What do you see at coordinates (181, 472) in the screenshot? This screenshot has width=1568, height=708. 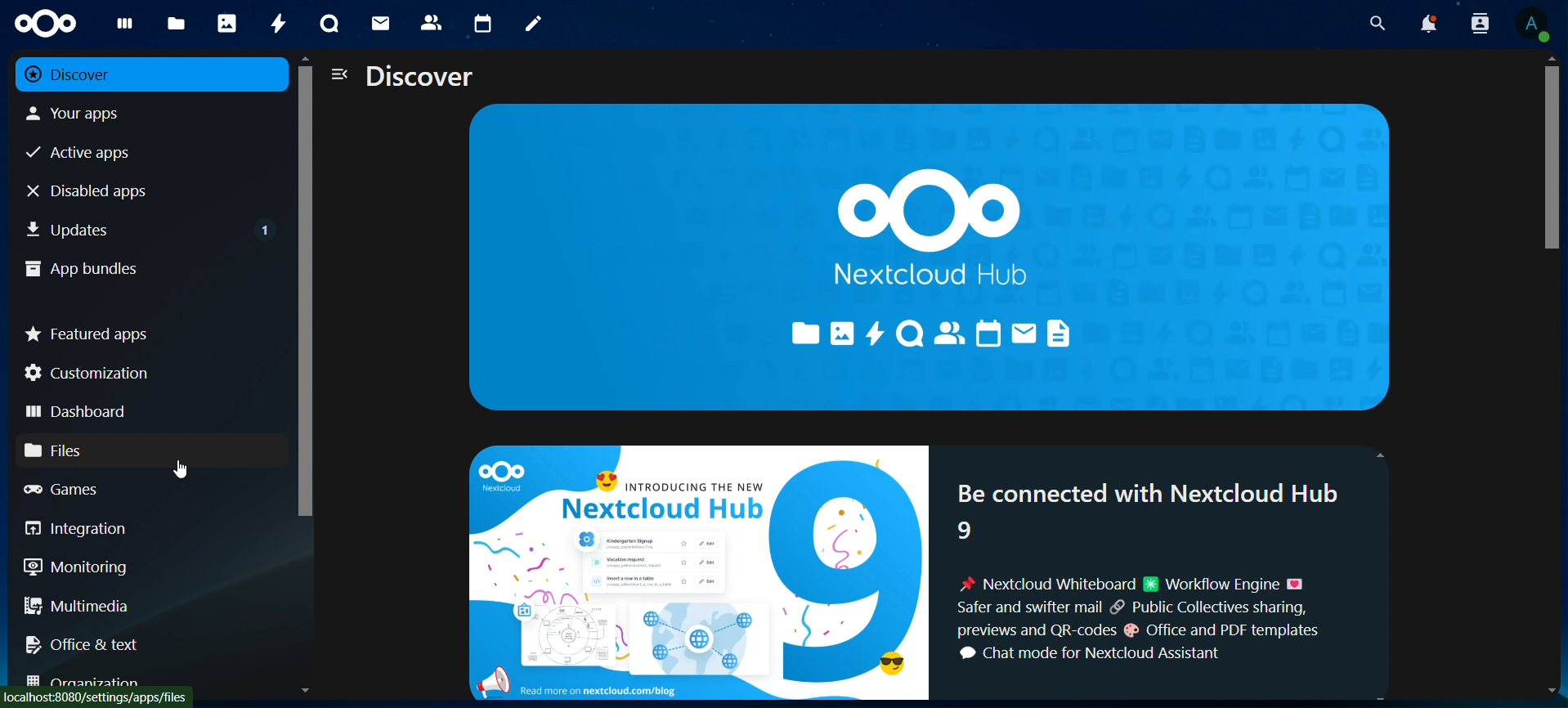 I see `cursor` at bounding box center [181, 472].